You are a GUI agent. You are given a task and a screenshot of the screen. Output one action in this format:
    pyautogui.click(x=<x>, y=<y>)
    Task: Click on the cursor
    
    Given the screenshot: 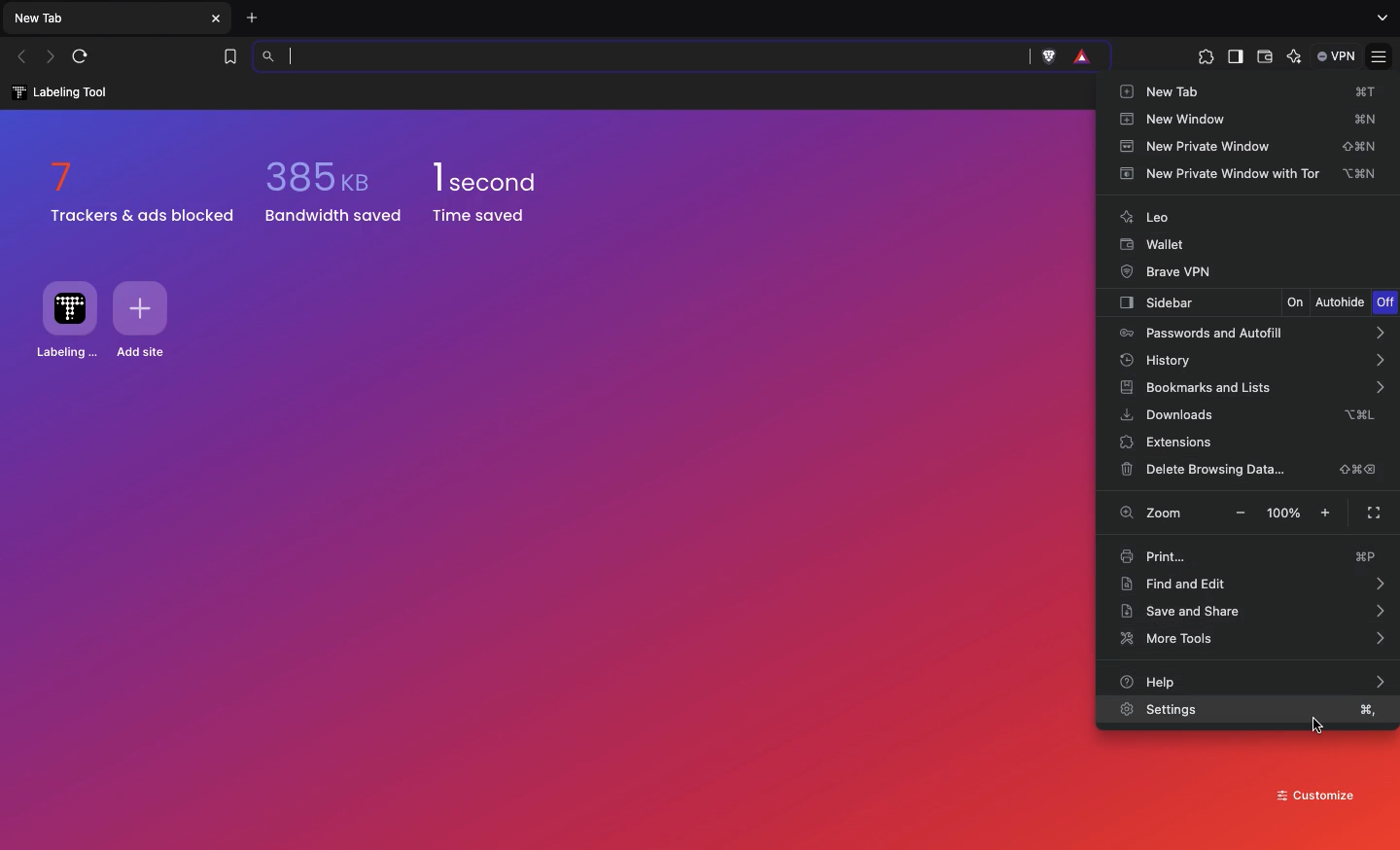 What is the action you would take?
    pyautogui.click(x=1322, y=725)
    